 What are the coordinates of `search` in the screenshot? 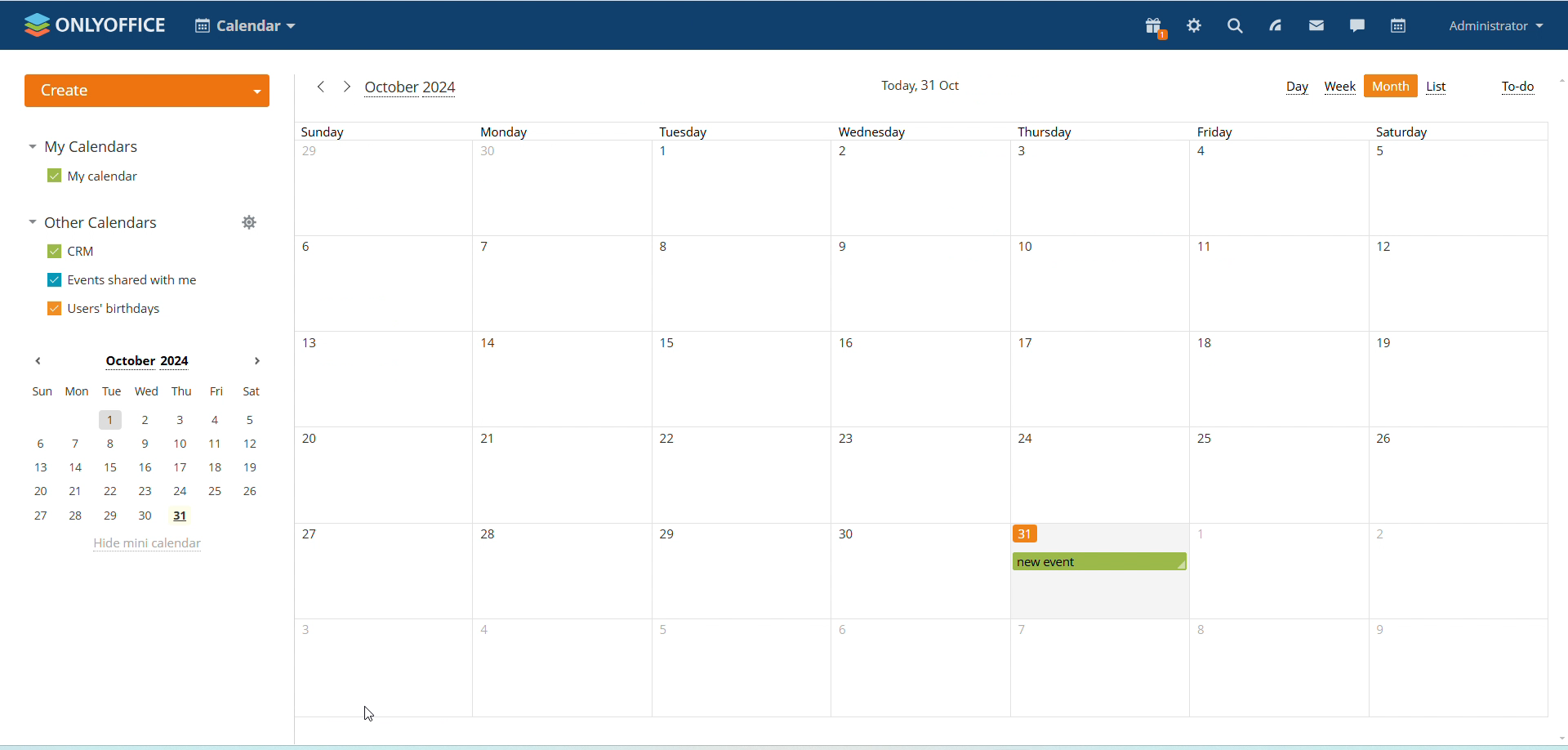 It's located at (1235, 25).